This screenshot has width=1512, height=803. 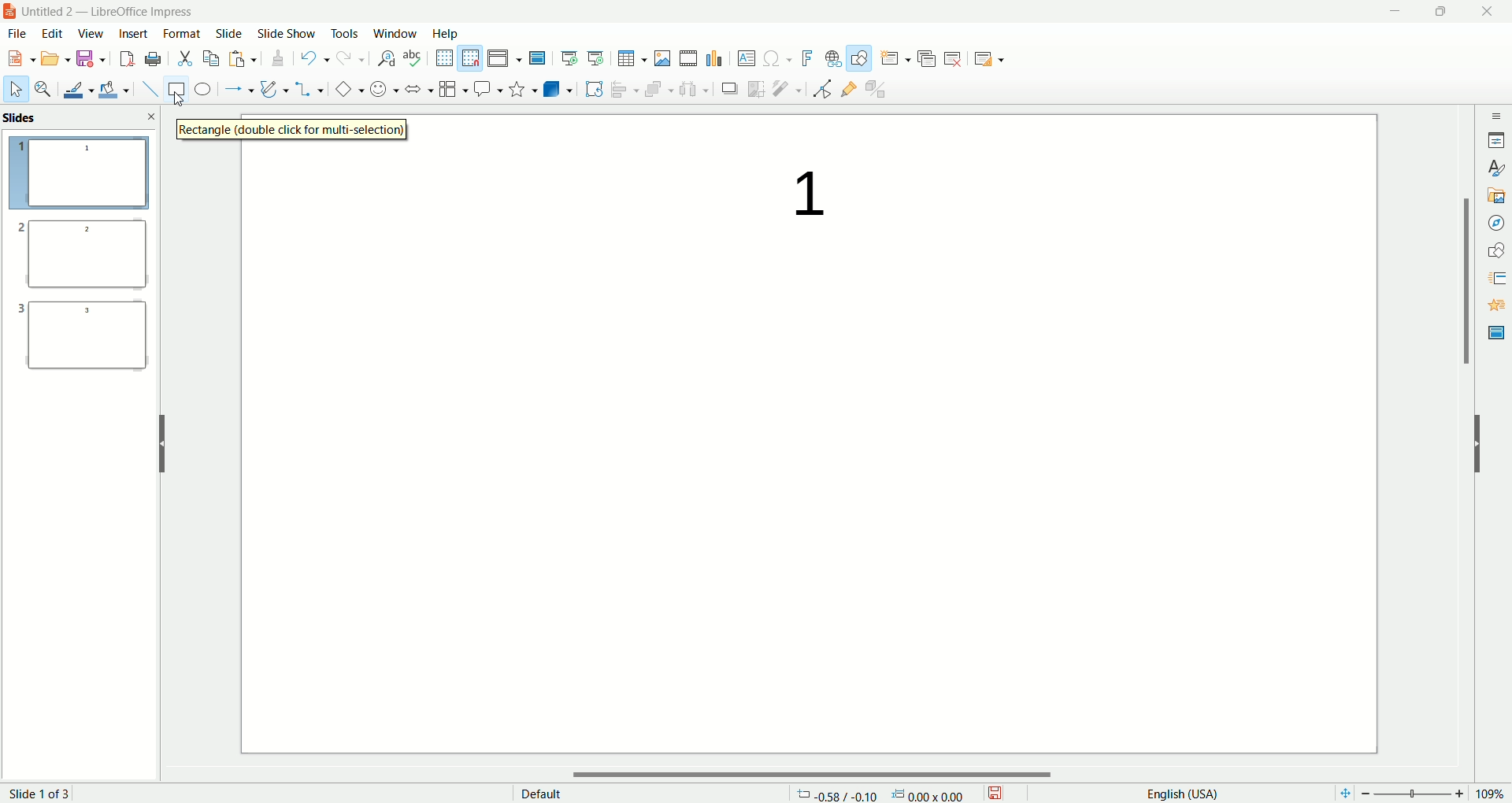 I want to click on master slide, so click(x=539, y=58).